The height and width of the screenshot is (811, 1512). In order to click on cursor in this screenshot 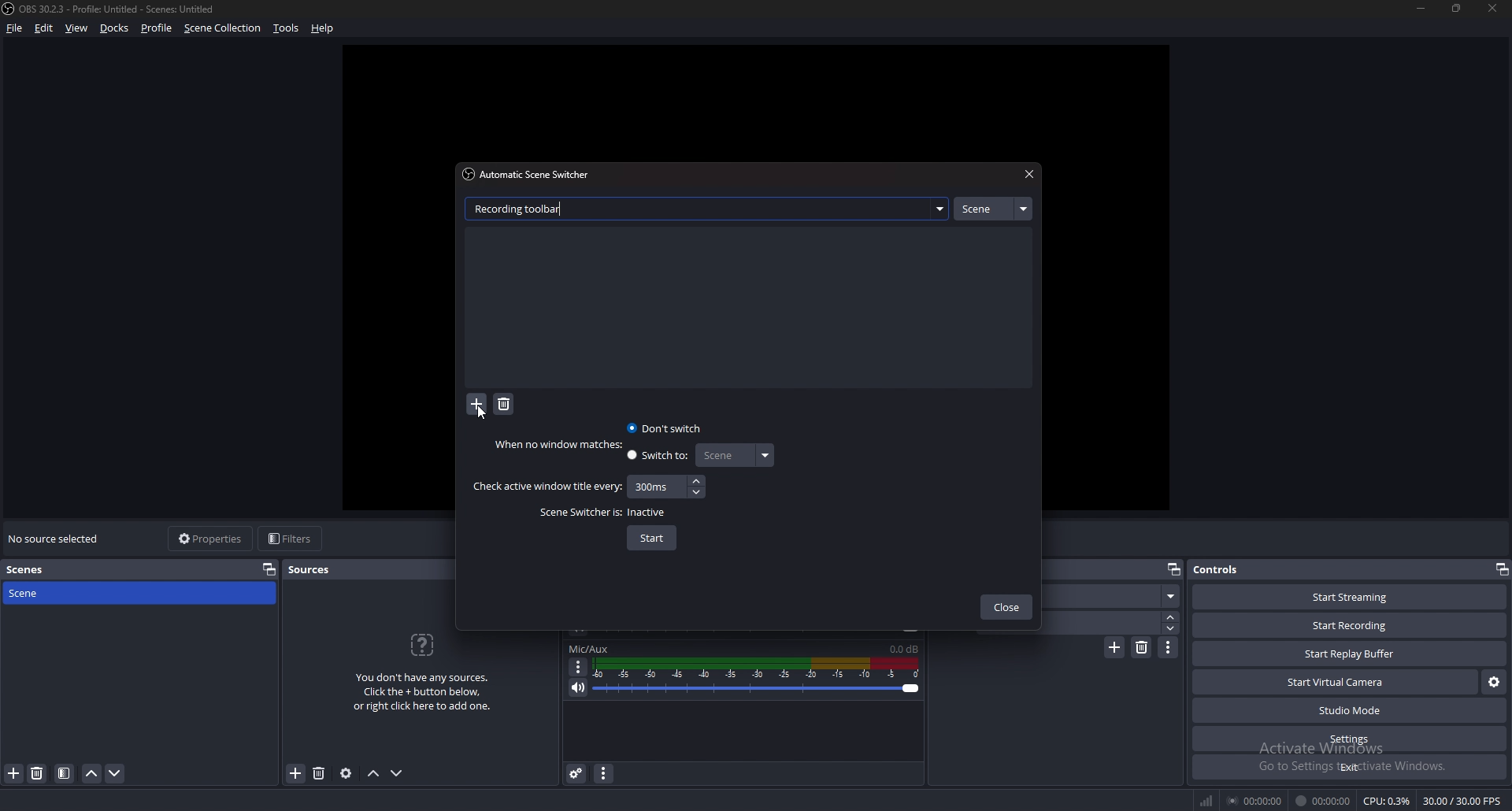, I will do `click(484, 411)`.